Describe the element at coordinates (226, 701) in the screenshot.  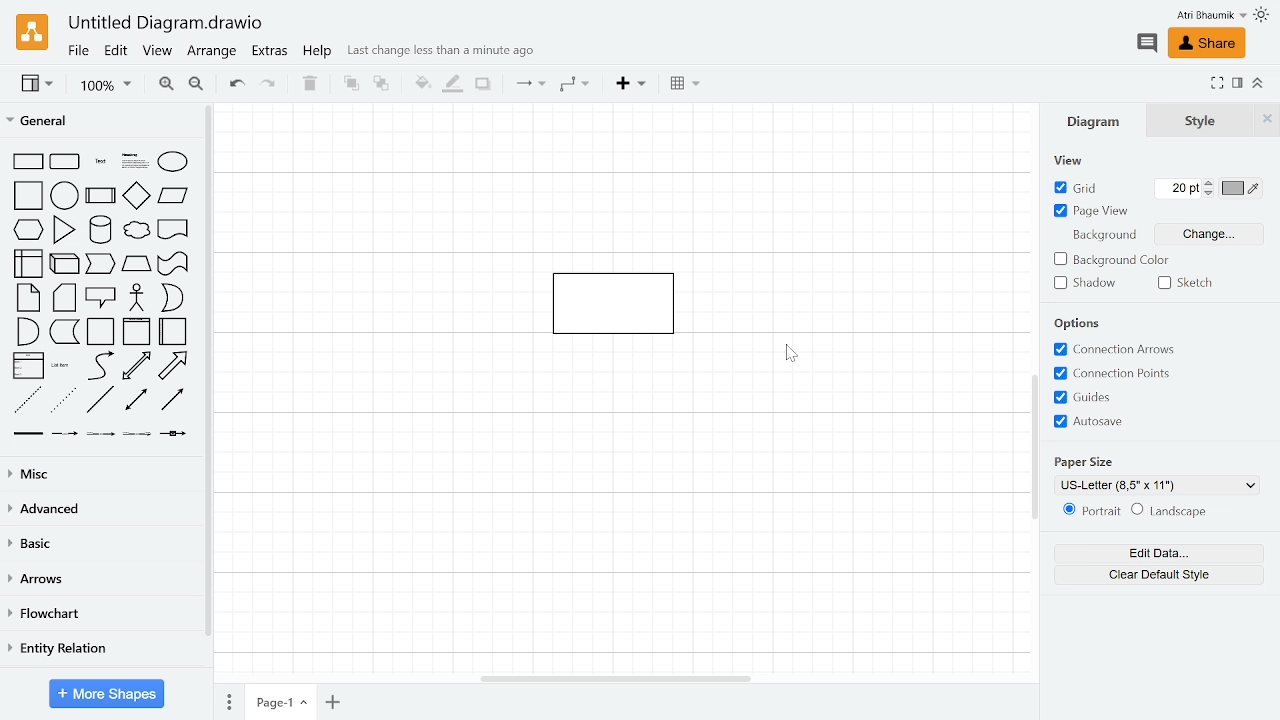
I see `pages` at that location.